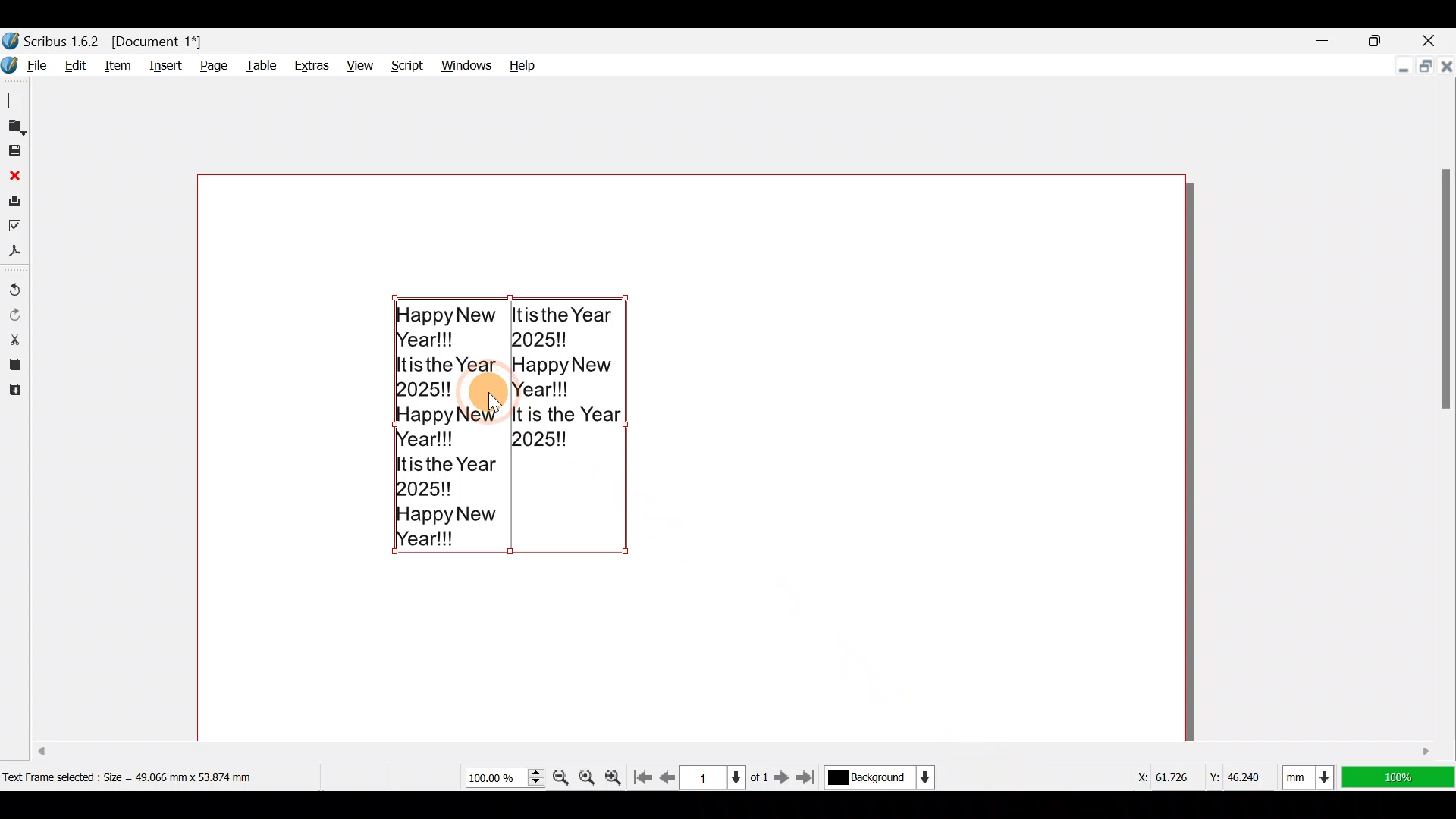 This screenshot has width=1456, height=819. Describe the element at coordinates (17, 313) in the screenshot. I see `Redo` at that location.